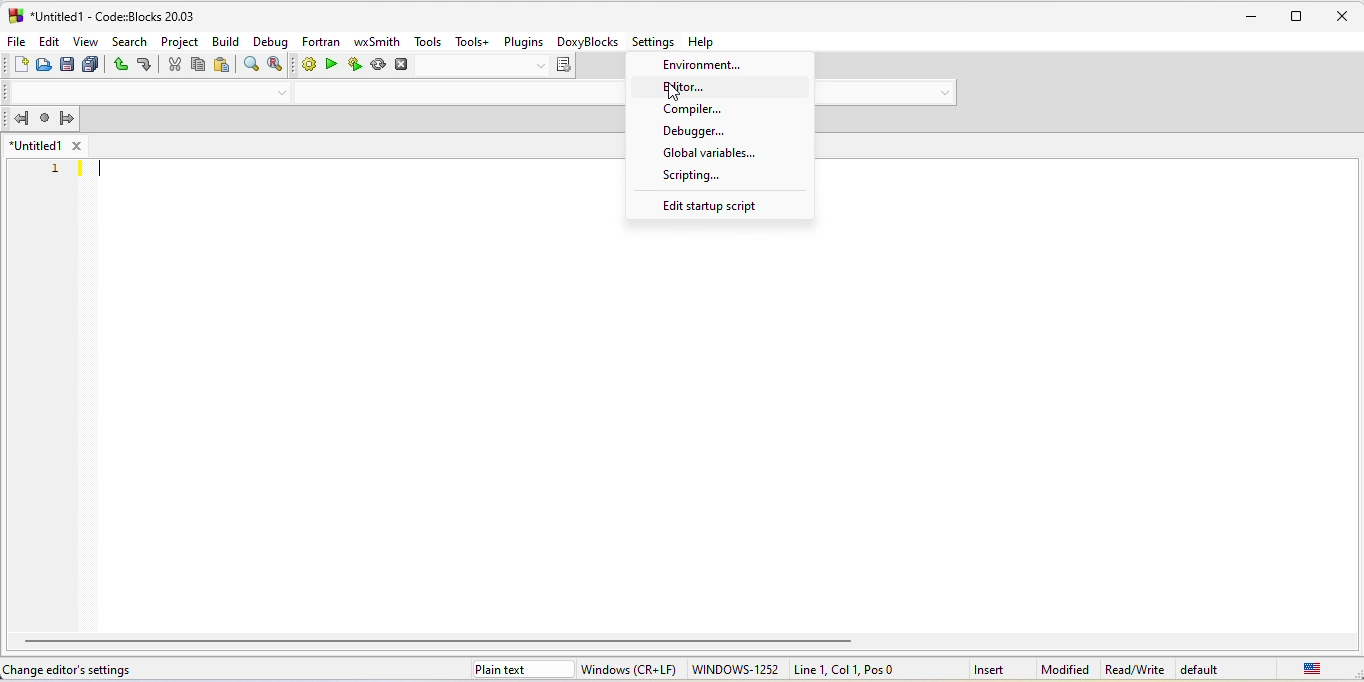  Describe the element at coordinates (441, 640) in the screenshot. I see `horizontal scroll bar` at that location.